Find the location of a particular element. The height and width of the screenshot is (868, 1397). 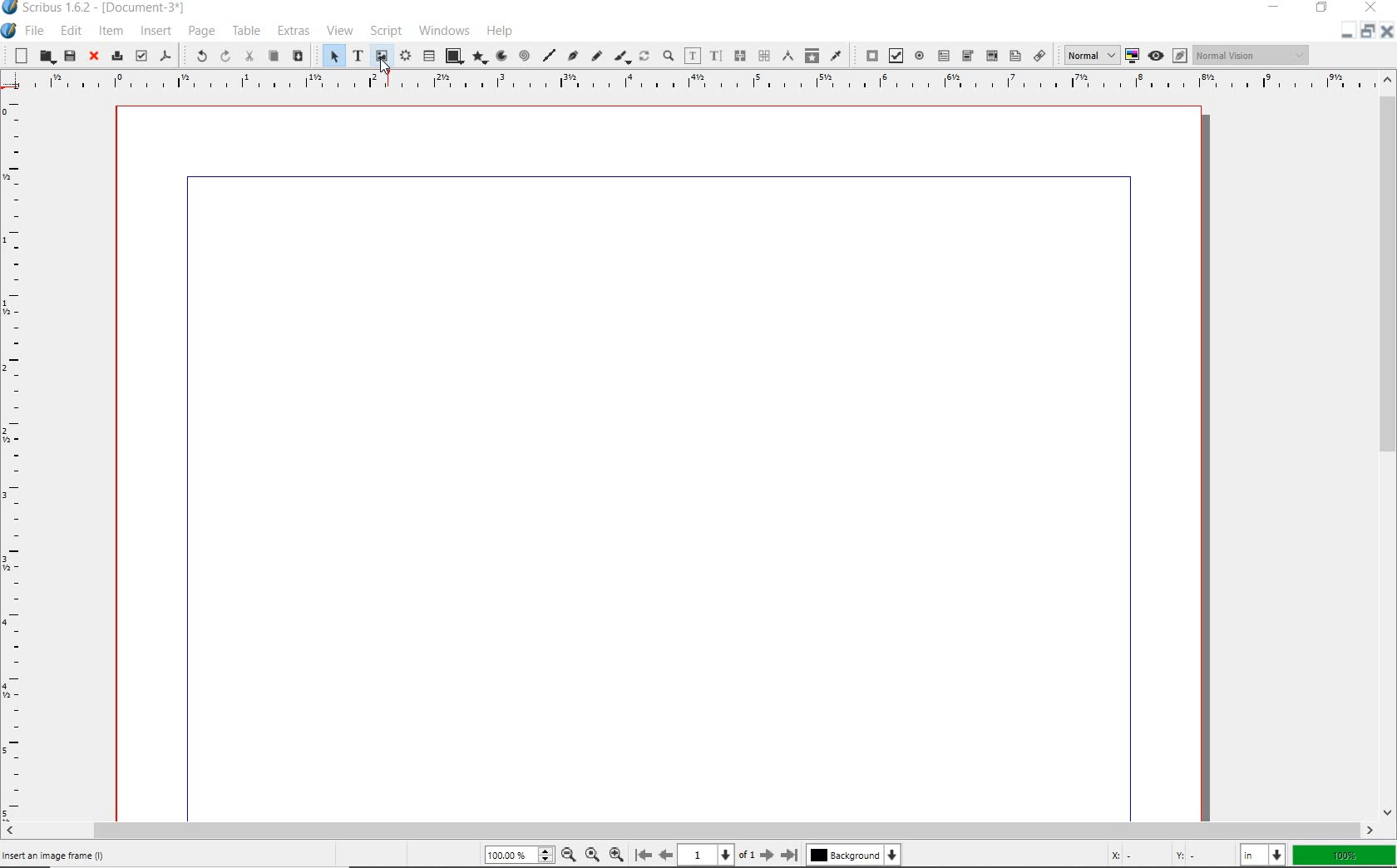

preflight verifier is located at coordinates (140, 55).